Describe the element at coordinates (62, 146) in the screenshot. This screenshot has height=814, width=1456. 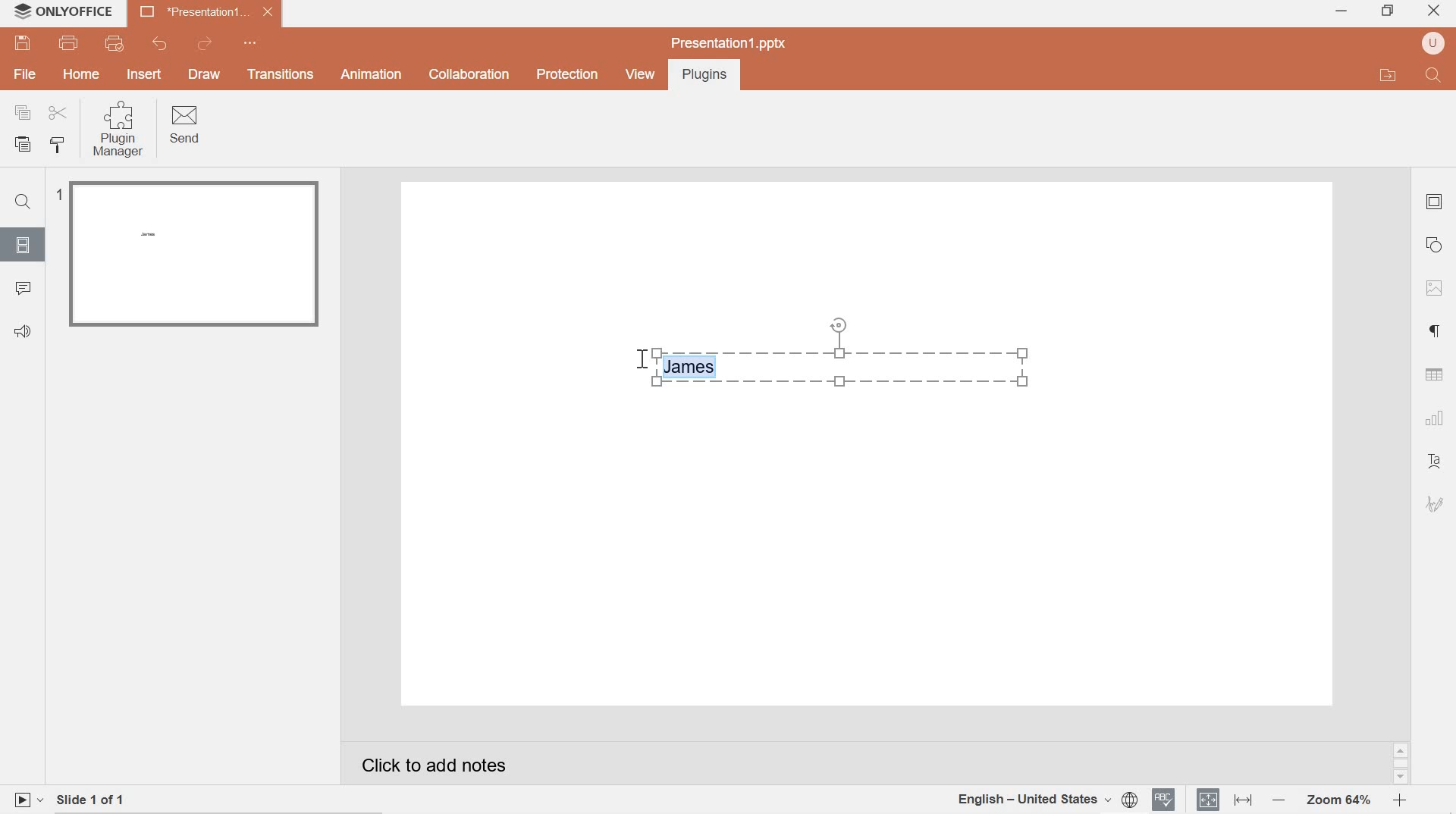
I see `copy style` at that location.